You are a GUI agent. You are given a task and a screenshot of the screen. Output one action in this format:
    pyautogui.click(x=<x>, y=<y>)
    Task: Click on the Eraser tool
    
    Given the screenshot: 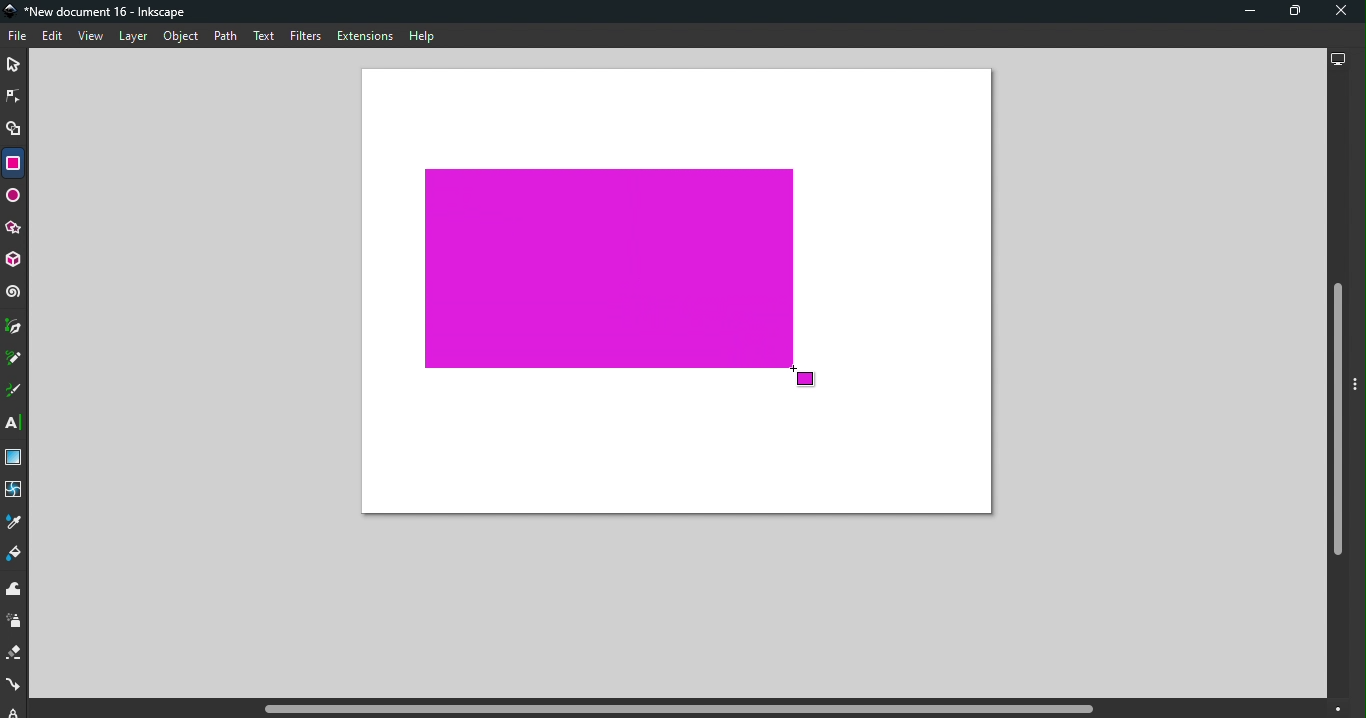 What is the action you would take?
    pyautogui.click(x=16, y=653)
    